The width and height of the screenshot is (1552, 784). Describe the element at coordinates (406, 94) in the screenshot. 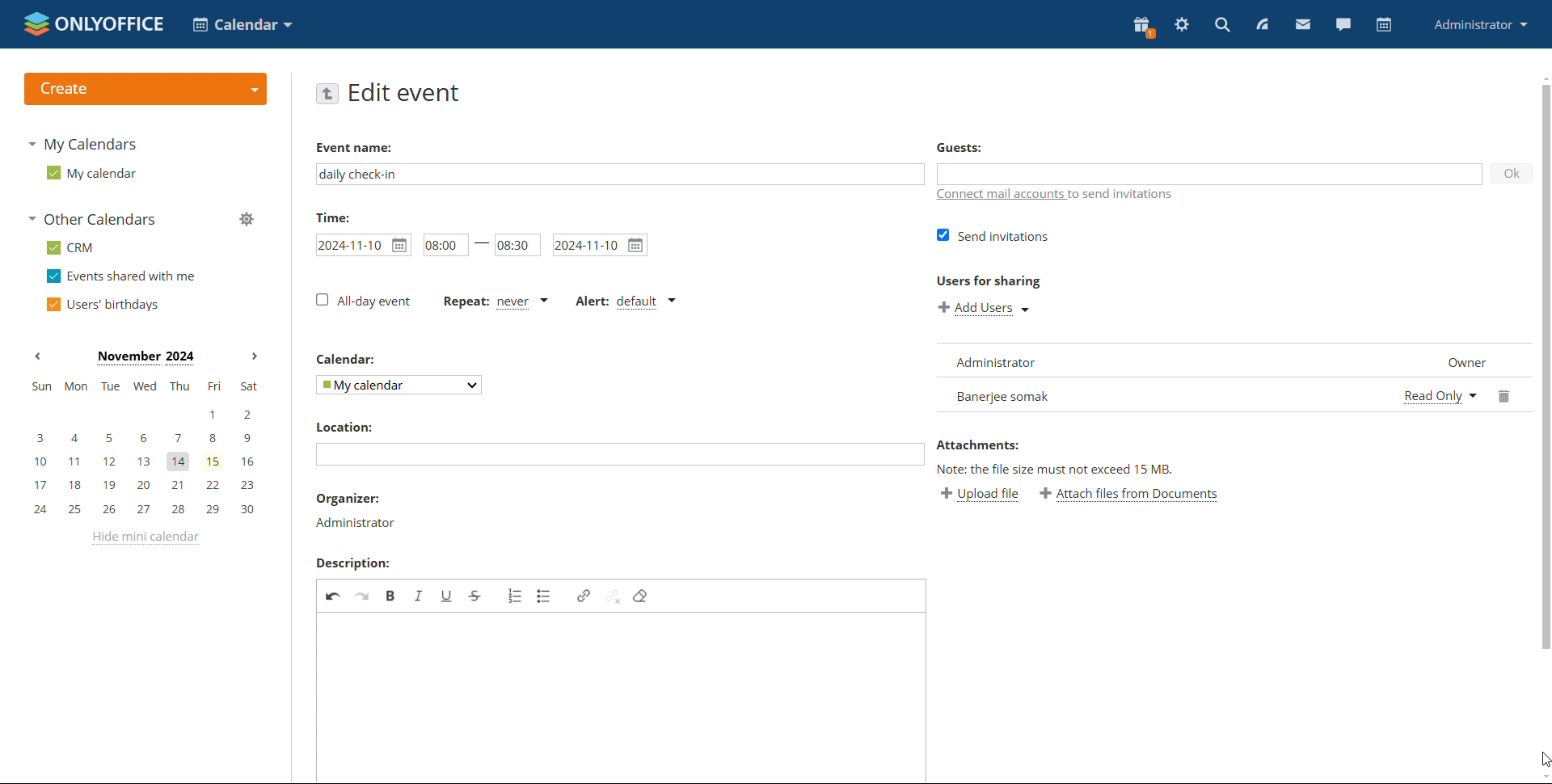

I see `edit event` at that location.